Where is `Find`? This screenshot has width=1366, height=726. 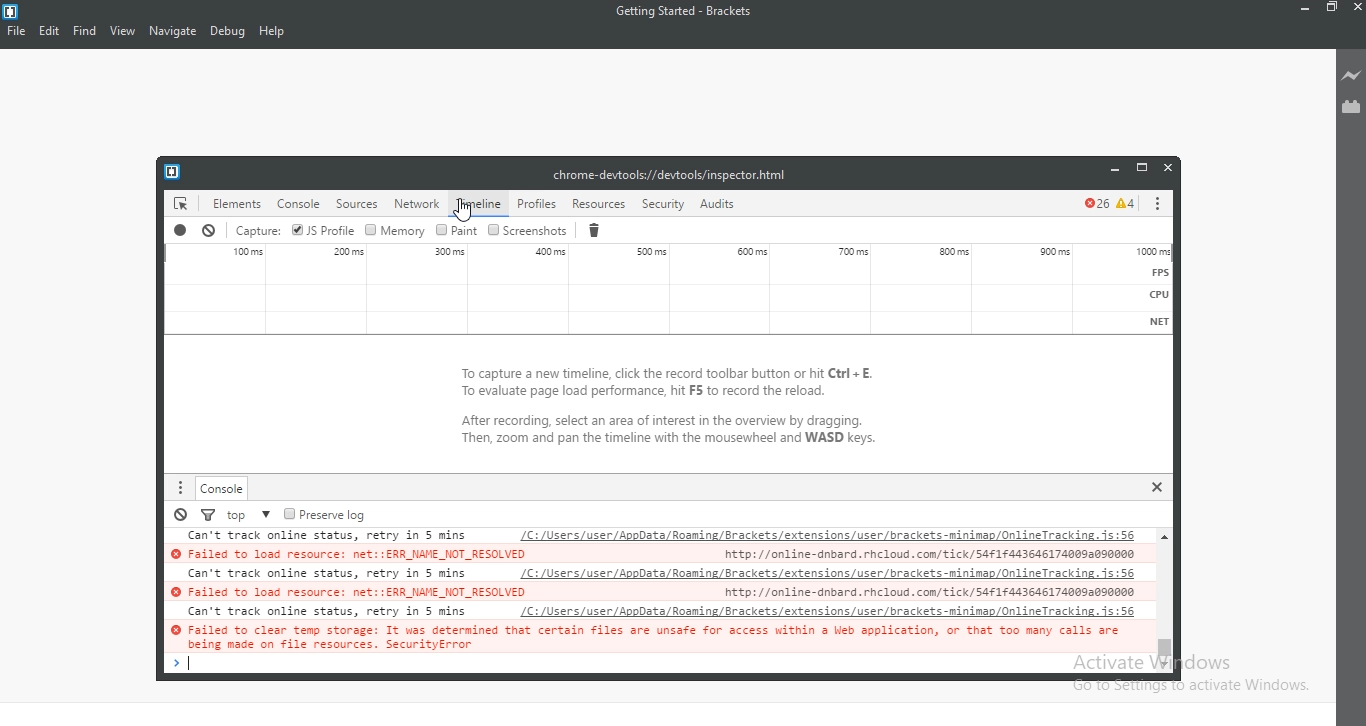 Find is located at coordinates (86, 31).